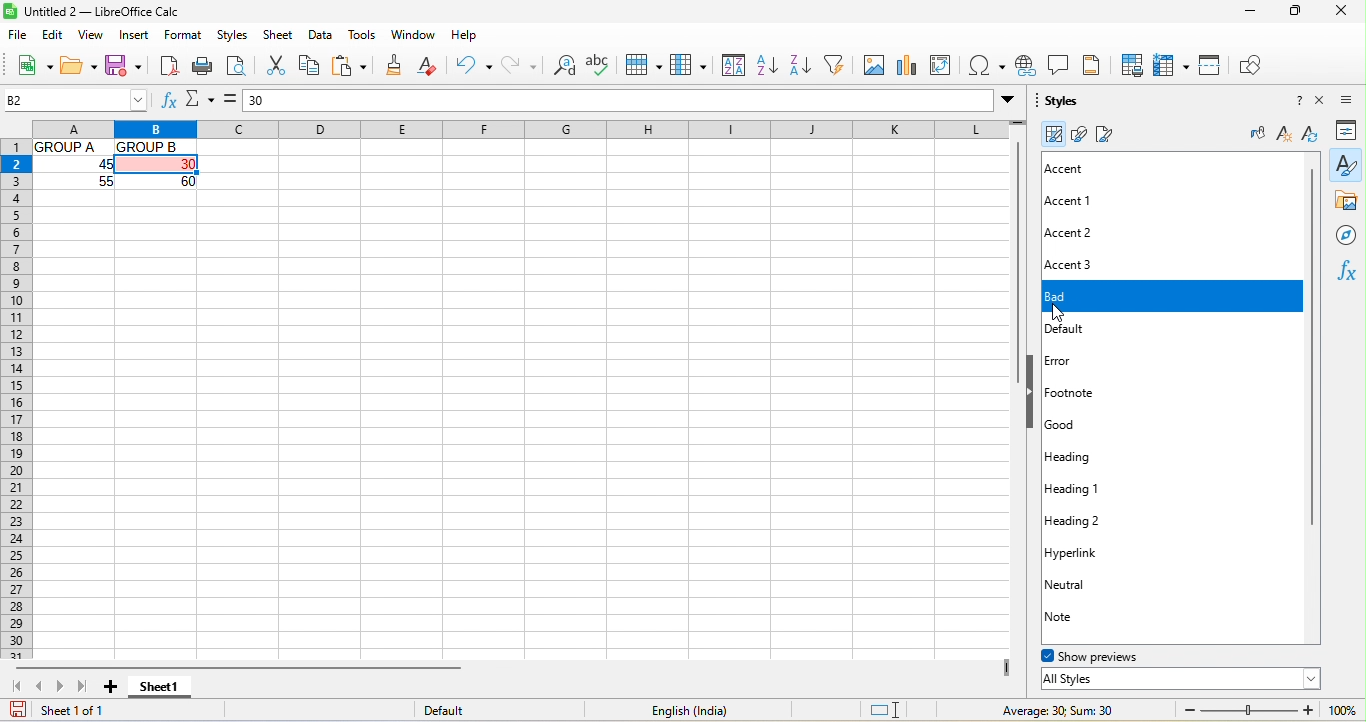 Image resolution: width=1366 pixels, height=722 pixels. I want to click on default, so click(1162, 332).